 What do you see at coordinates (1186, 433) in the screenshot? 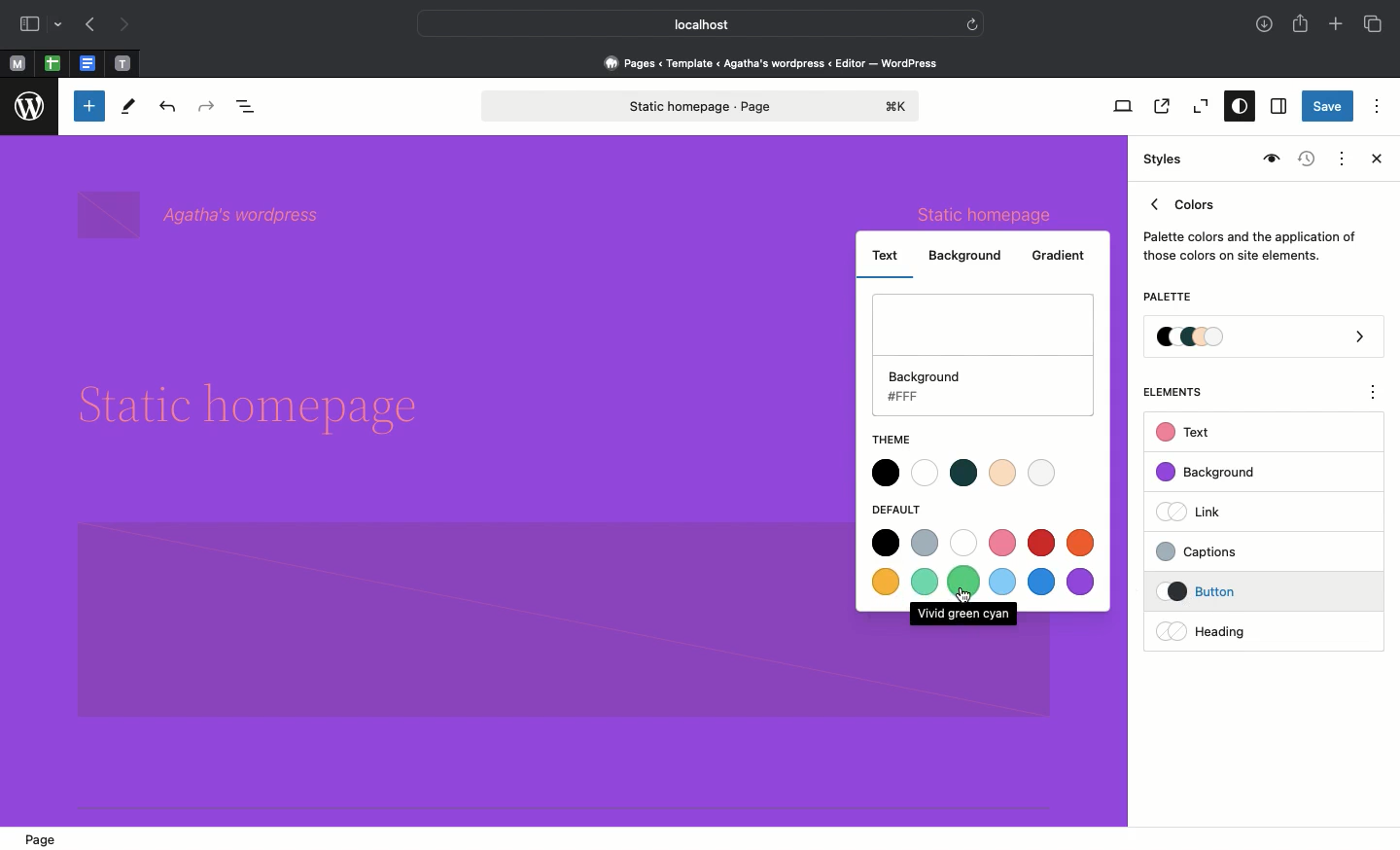
I see `Text` at bounding box center [1186, 433].